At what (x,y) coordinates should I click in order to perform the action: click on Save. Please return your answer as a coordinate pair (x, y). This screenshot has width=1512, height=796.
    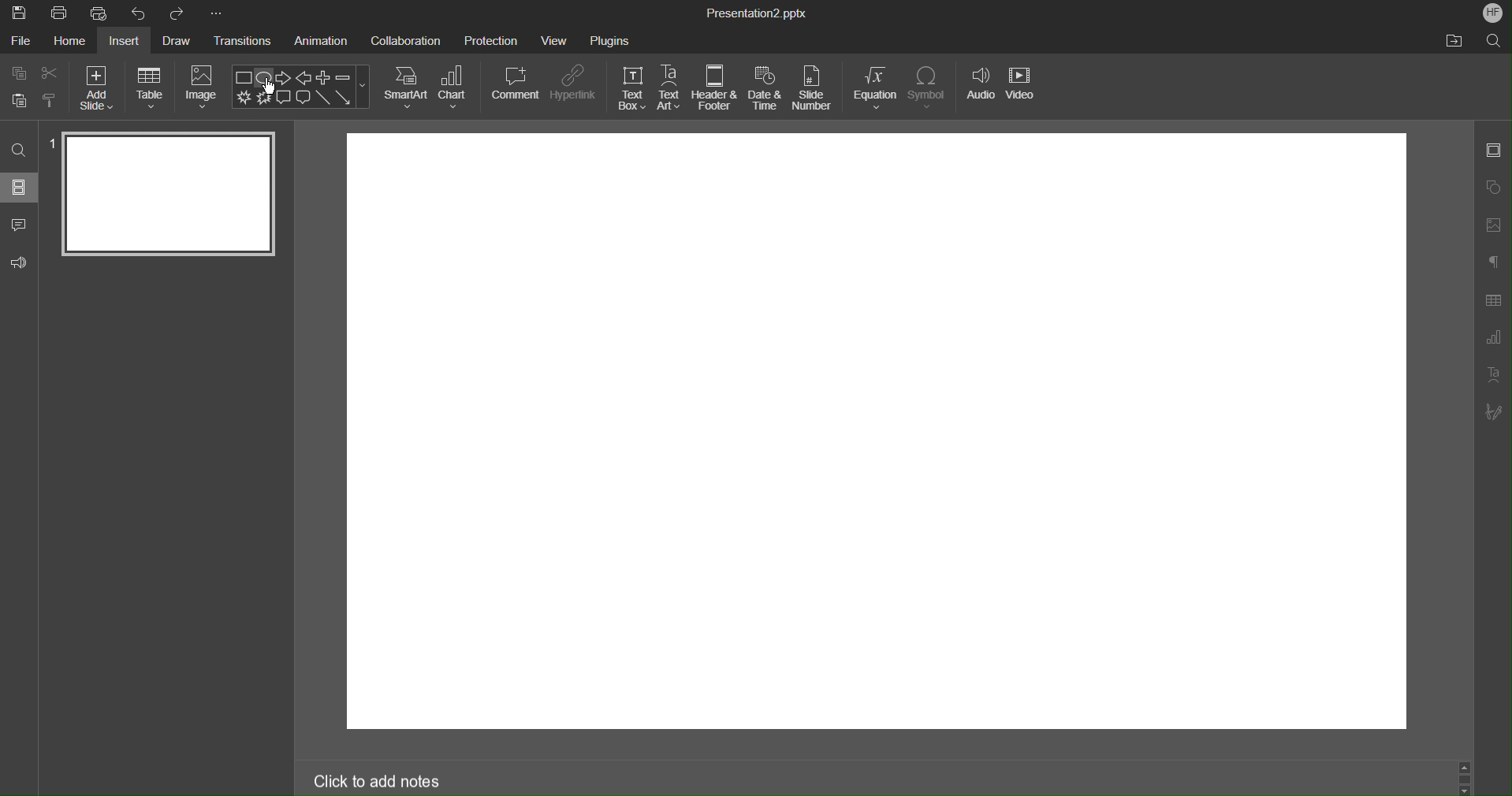
    Looking at the image, I should click on (18, 13).